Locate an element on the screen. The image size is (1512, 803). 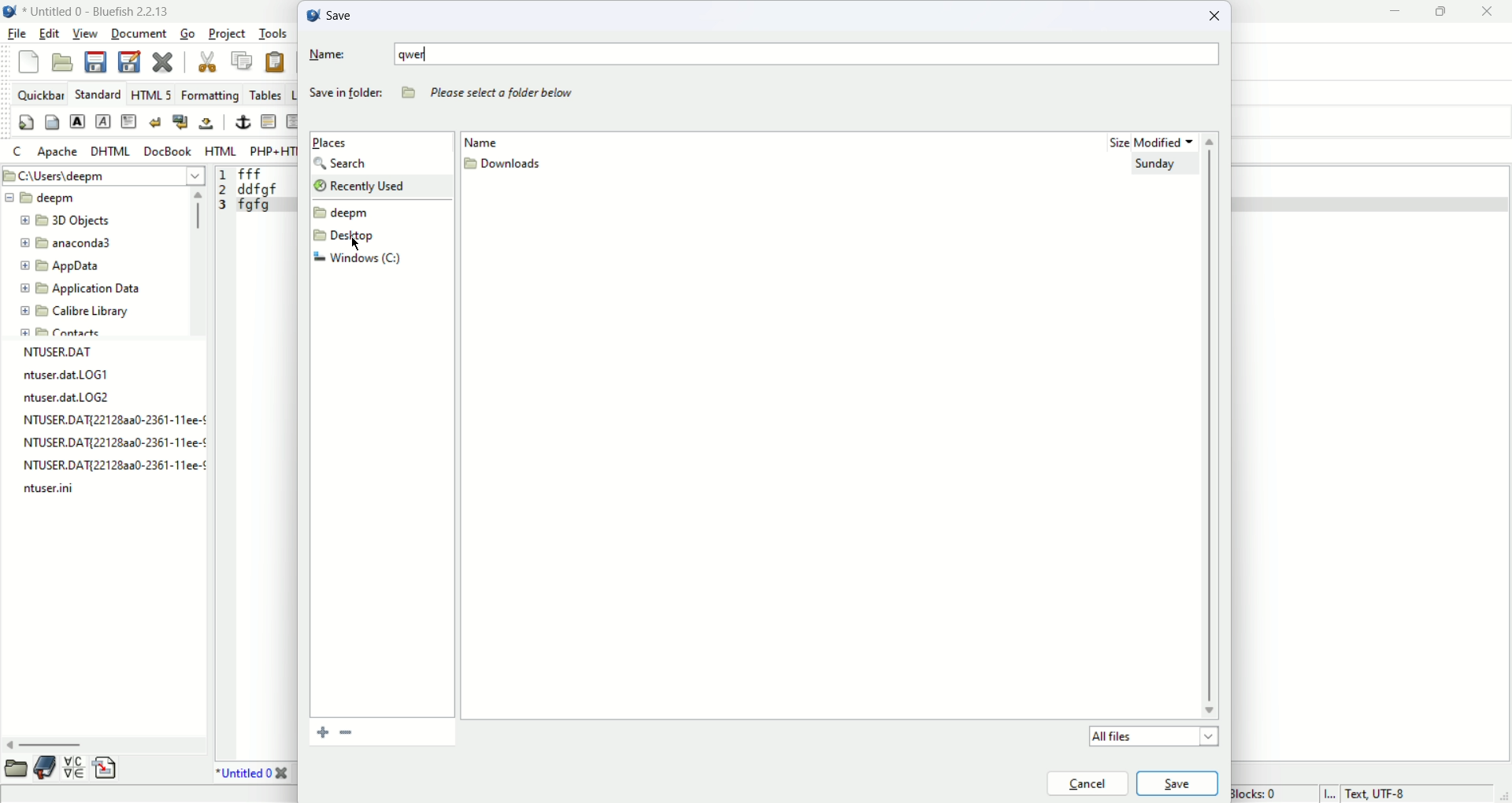
quickbar is located at coordinates (41, 94).